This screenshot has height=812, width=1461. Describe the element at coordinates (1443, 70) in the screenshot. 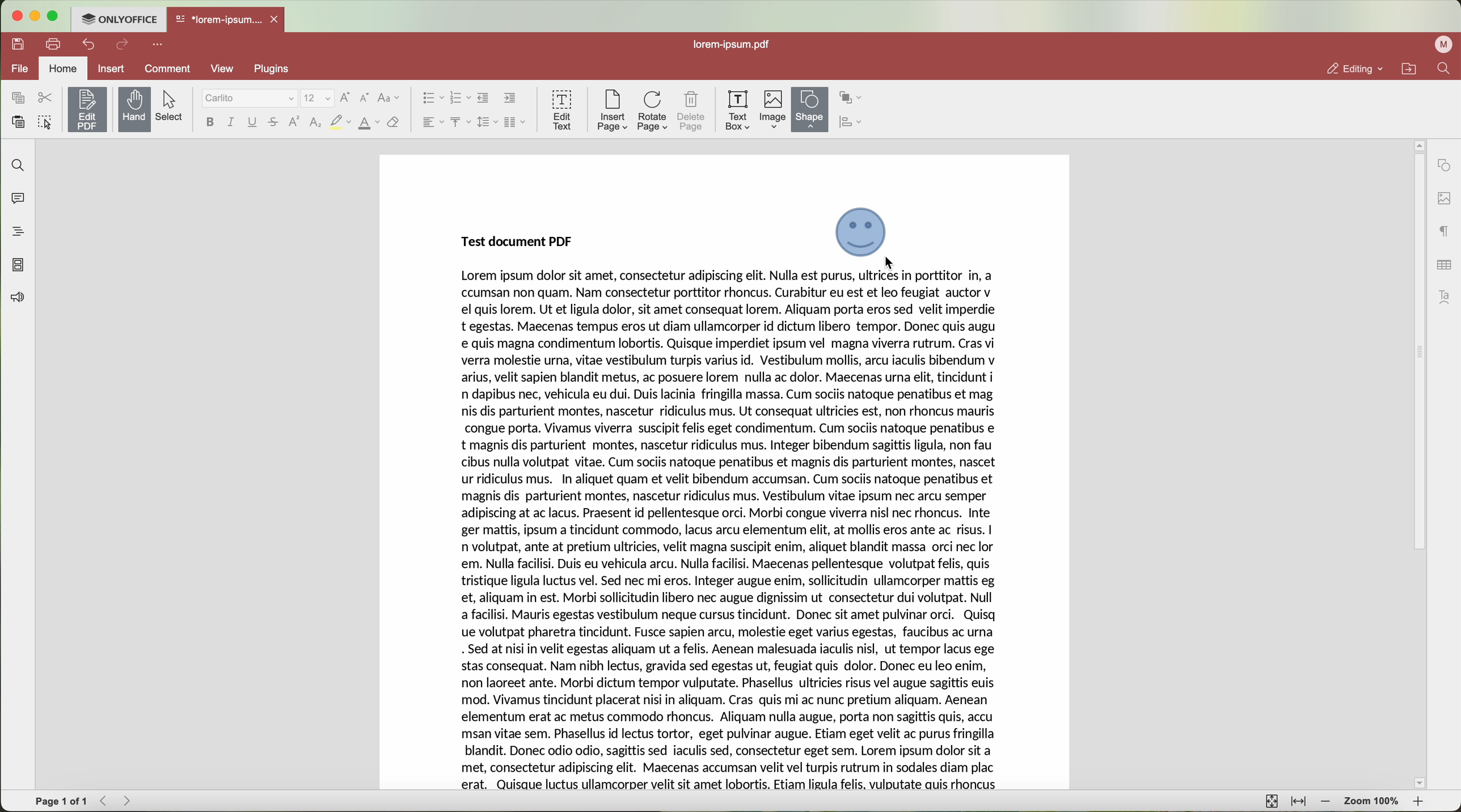

I see `find` at that location.